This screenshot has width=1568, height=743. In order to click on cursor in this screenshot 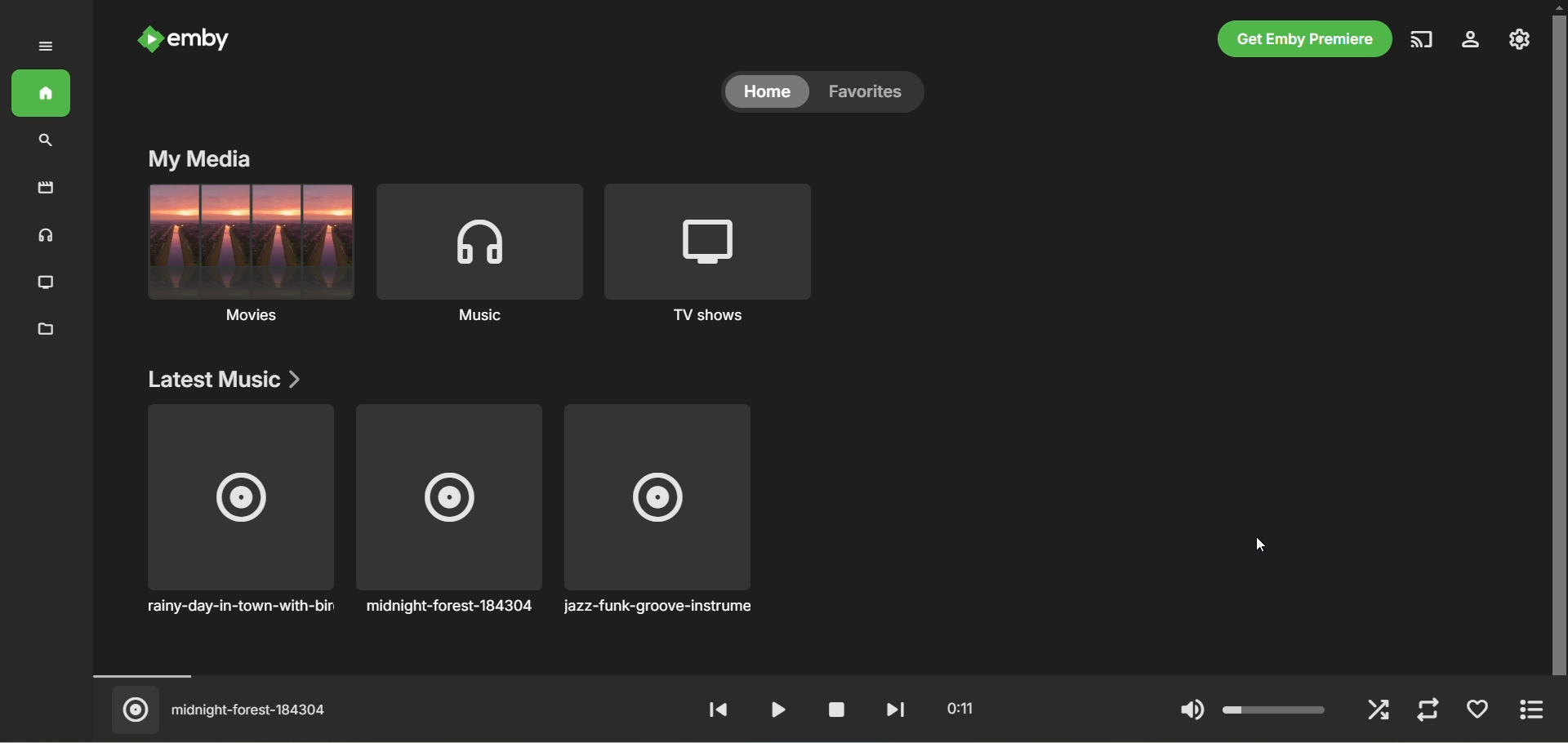, I will do `click(1263, 549)`.